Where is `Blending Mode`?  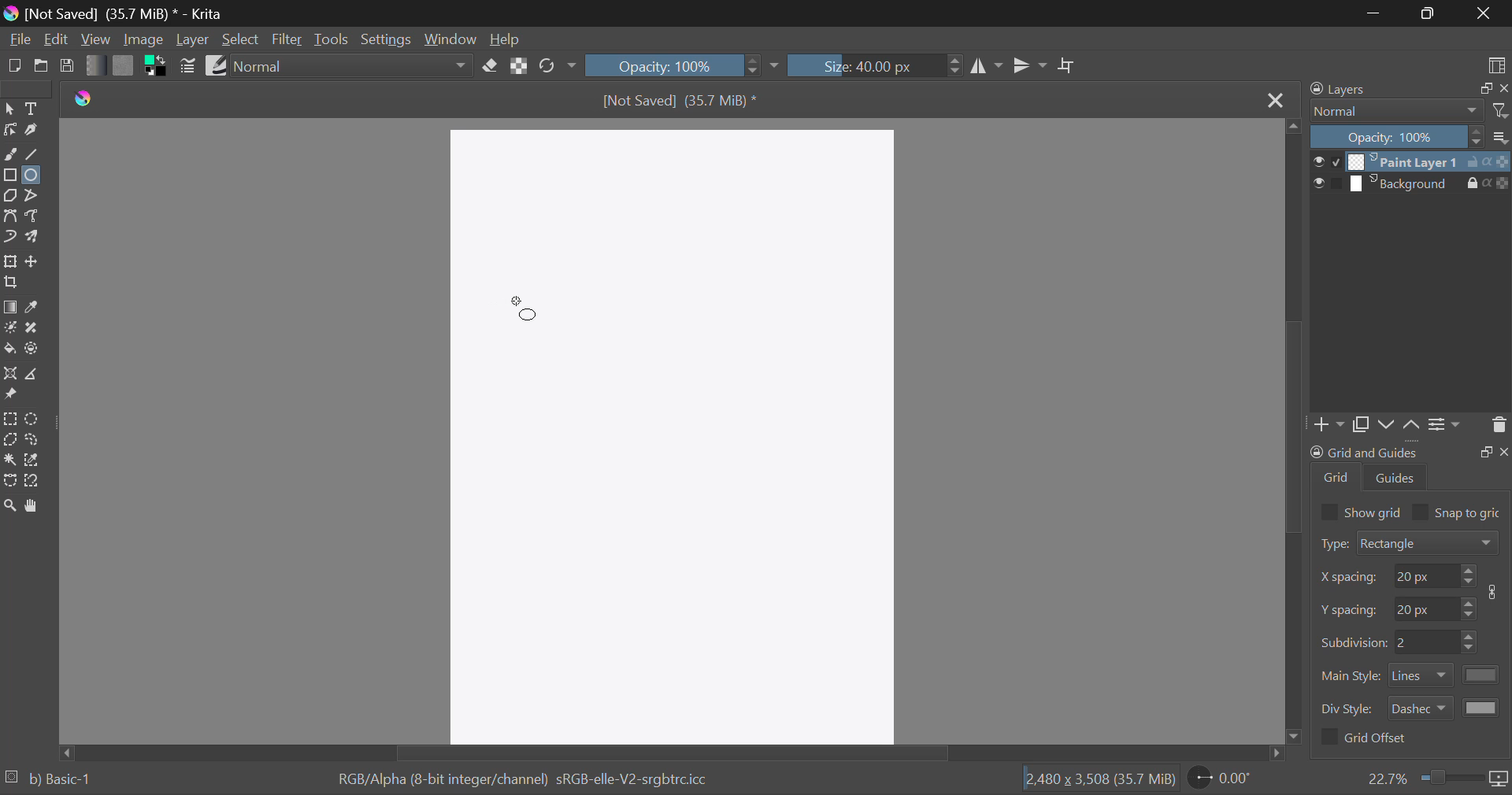 Blending Mode is located at coordinates (353, 67).